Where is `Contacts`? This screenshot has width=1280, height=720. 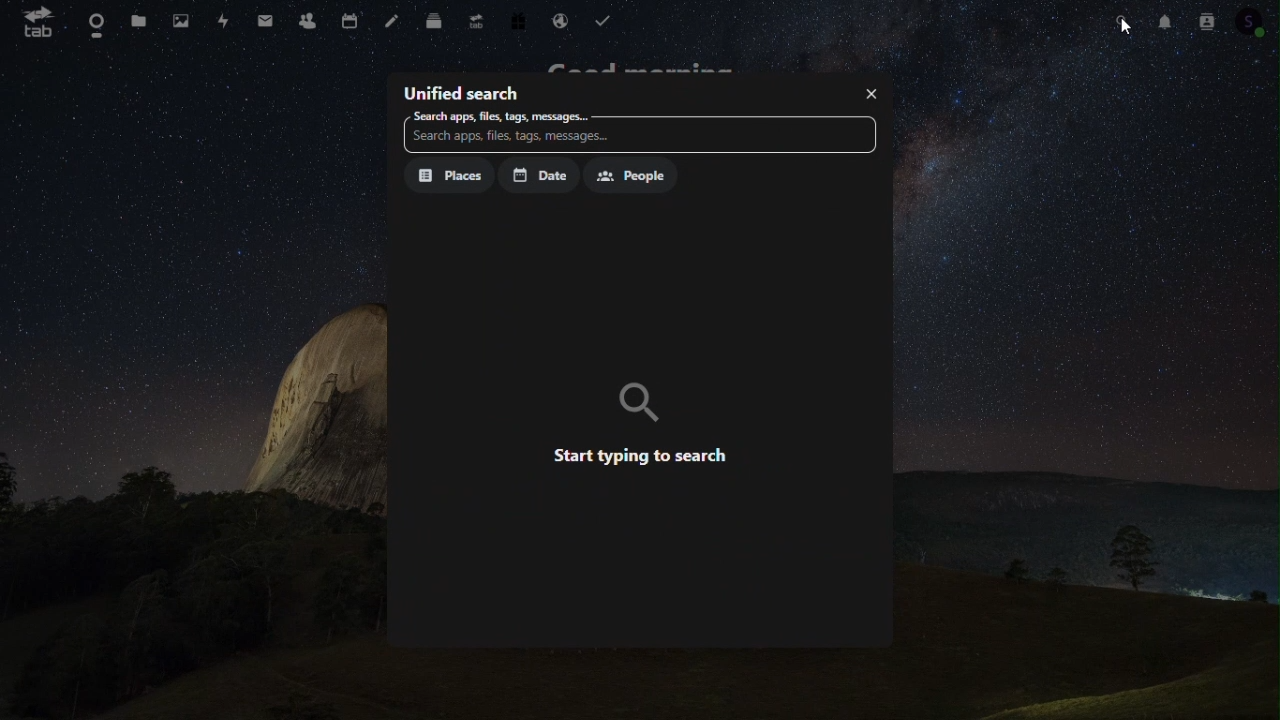
Contacts is located at coordinates (308, 17).